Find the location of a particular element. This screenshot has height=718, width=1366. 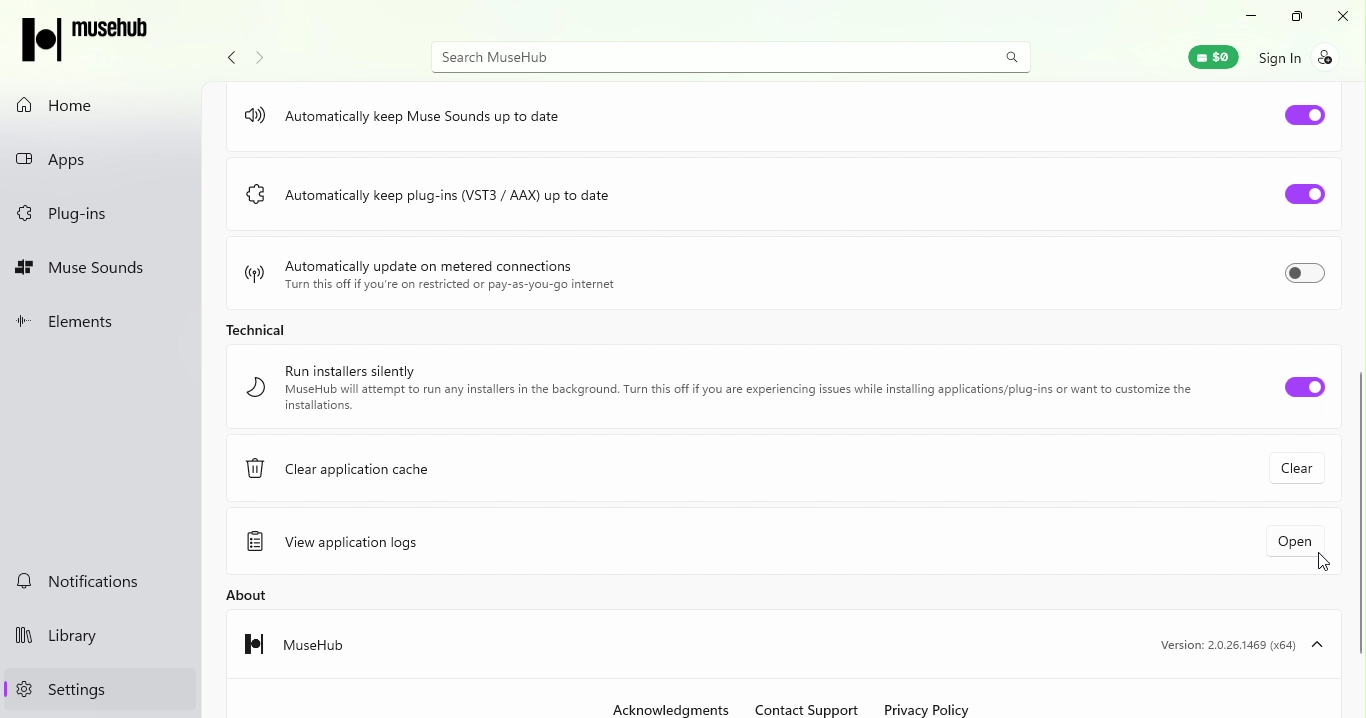

Minimize is located at coordinates (1250, 15).